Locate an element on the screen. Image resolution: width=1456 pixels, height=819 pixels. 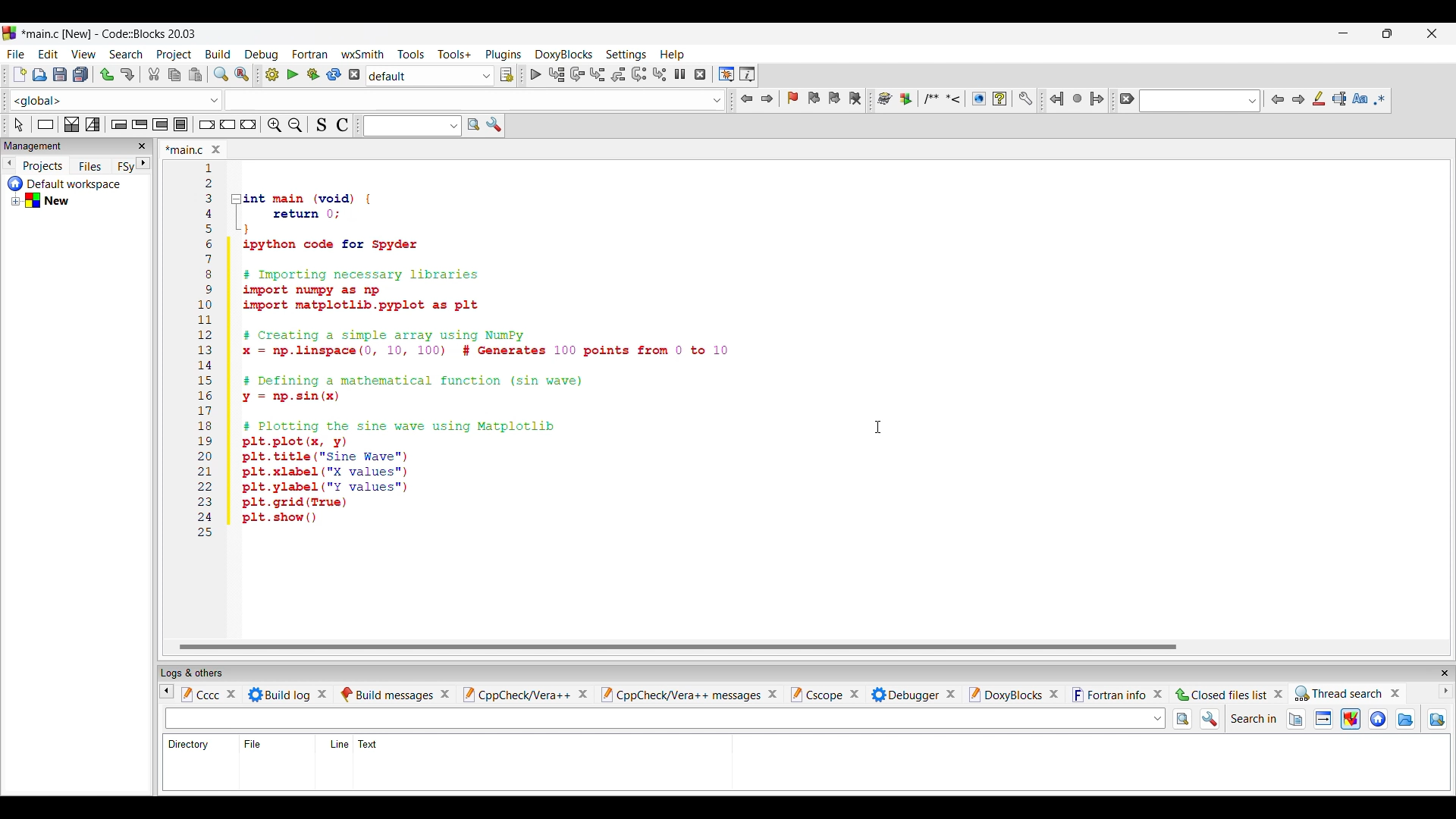
 is located at coordinates (1232, 695).